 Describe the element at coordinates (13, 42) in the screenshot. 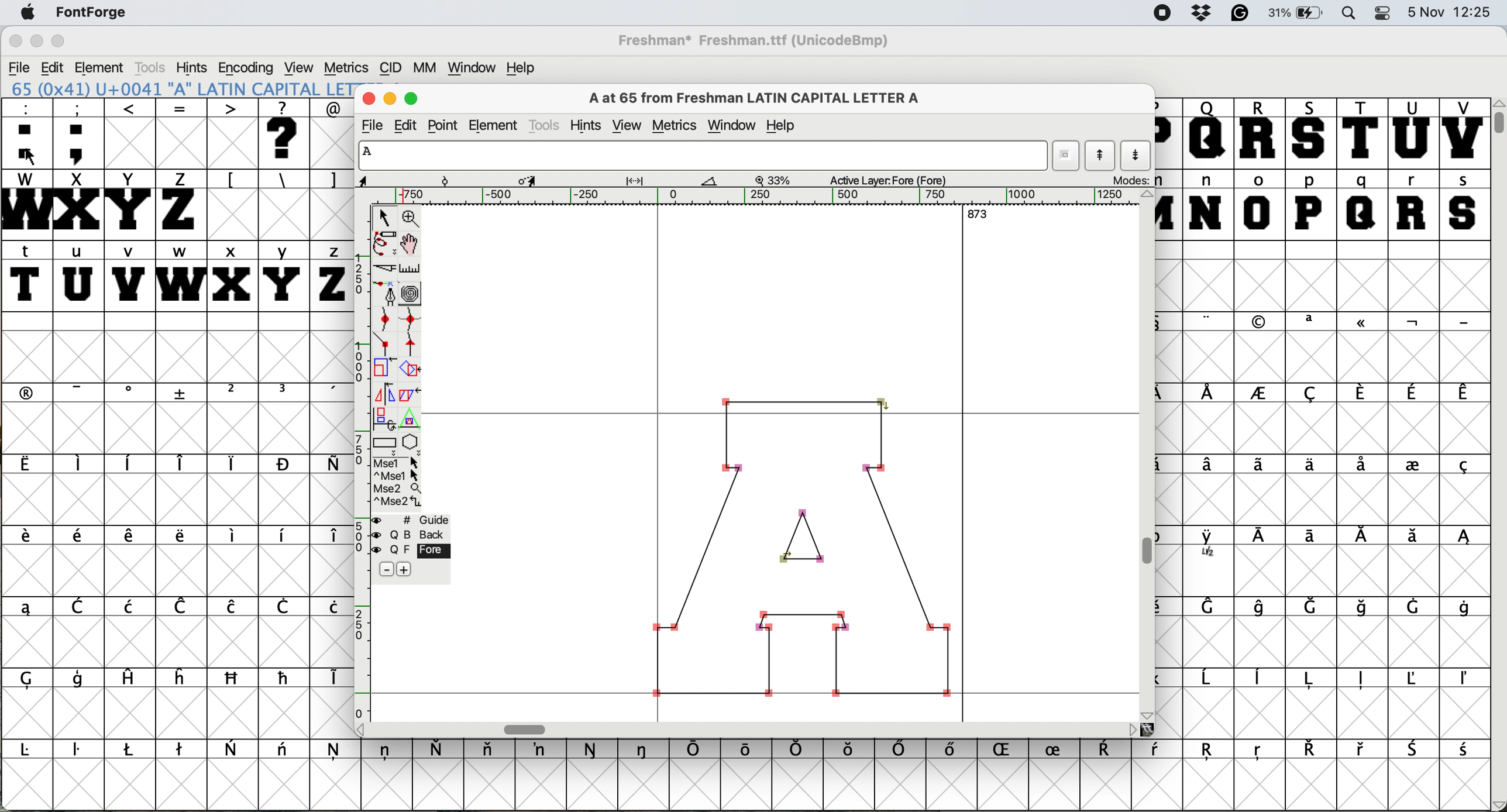

I see `close` at that location.